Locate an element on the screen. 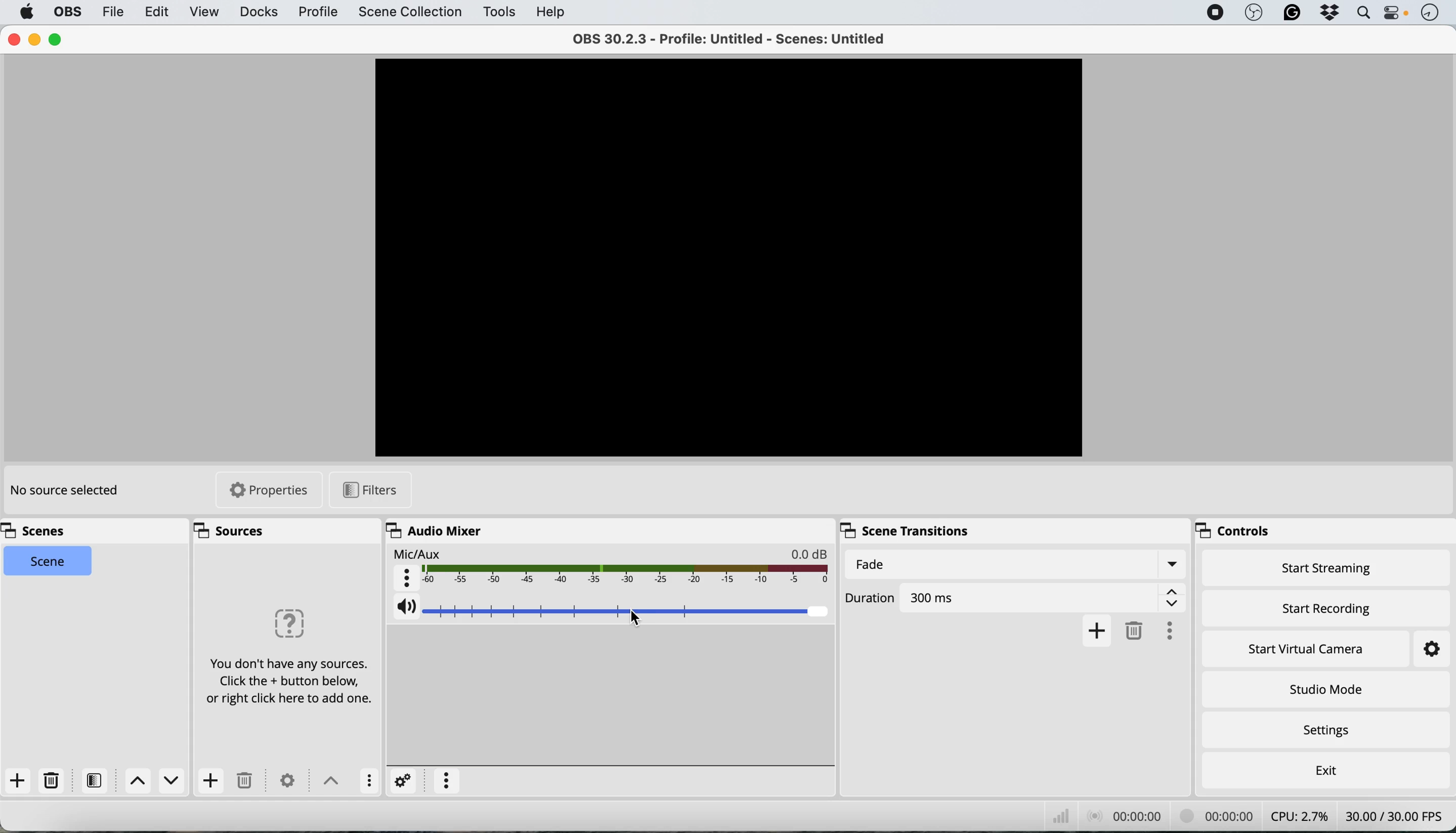 This screenshot has width=1456, height=833. maximise is located at coordinates (56, 41).